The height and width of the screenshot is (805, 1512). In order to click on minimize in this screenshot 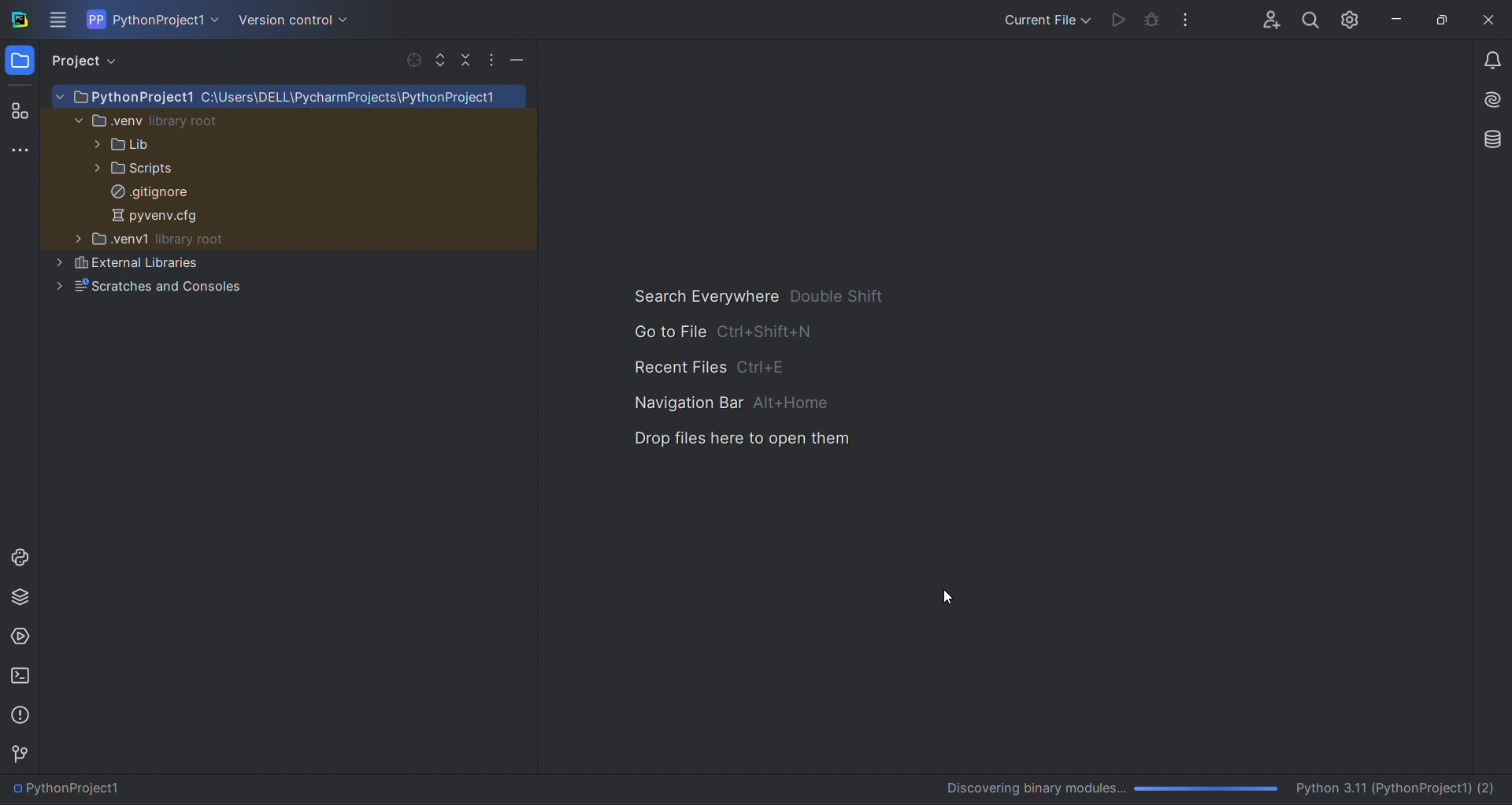, I will do `click(521, 60)`.